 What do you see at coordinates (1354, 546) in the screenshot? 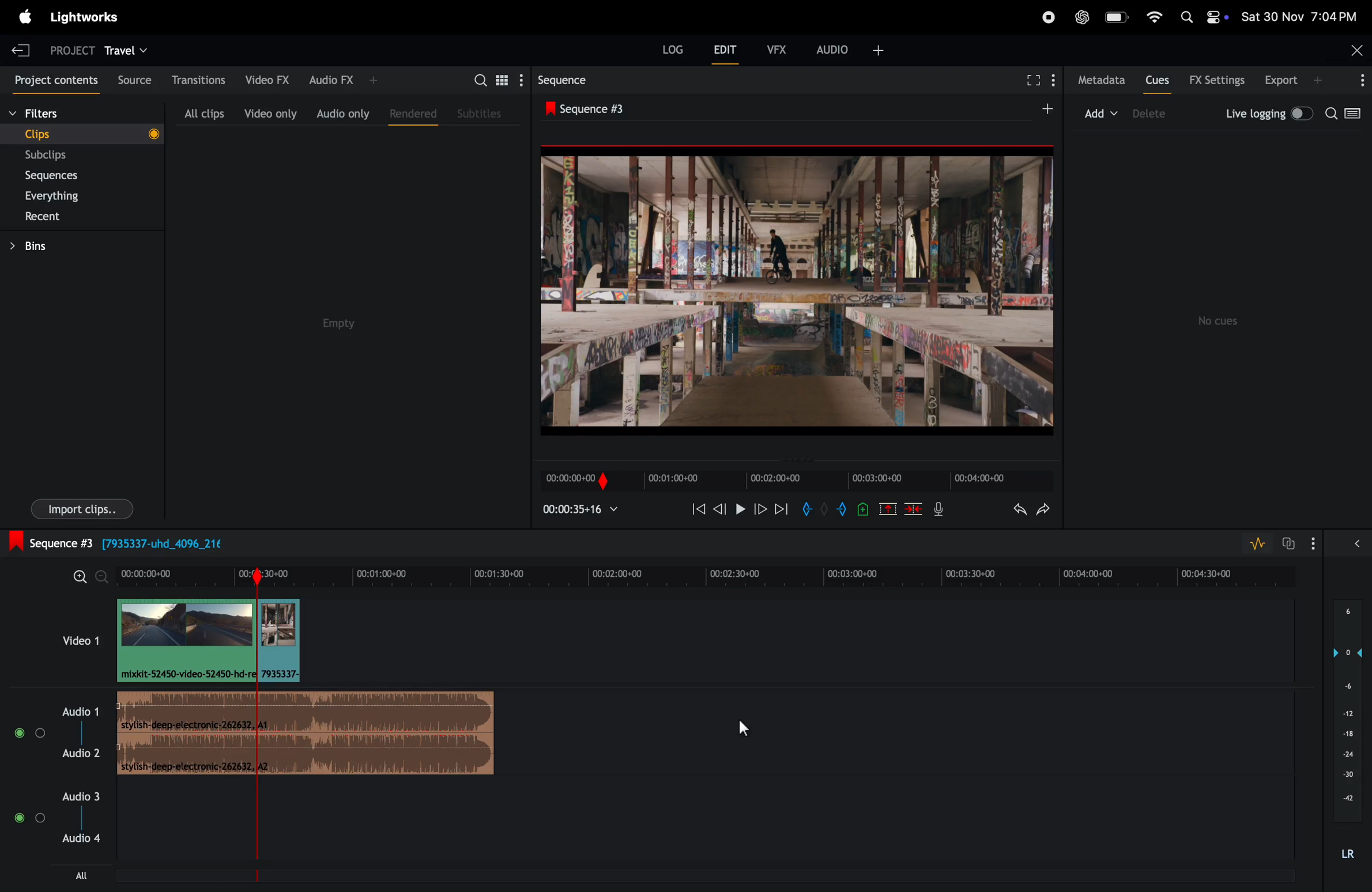
I see `Audio` at bounding box center [1354, 546].